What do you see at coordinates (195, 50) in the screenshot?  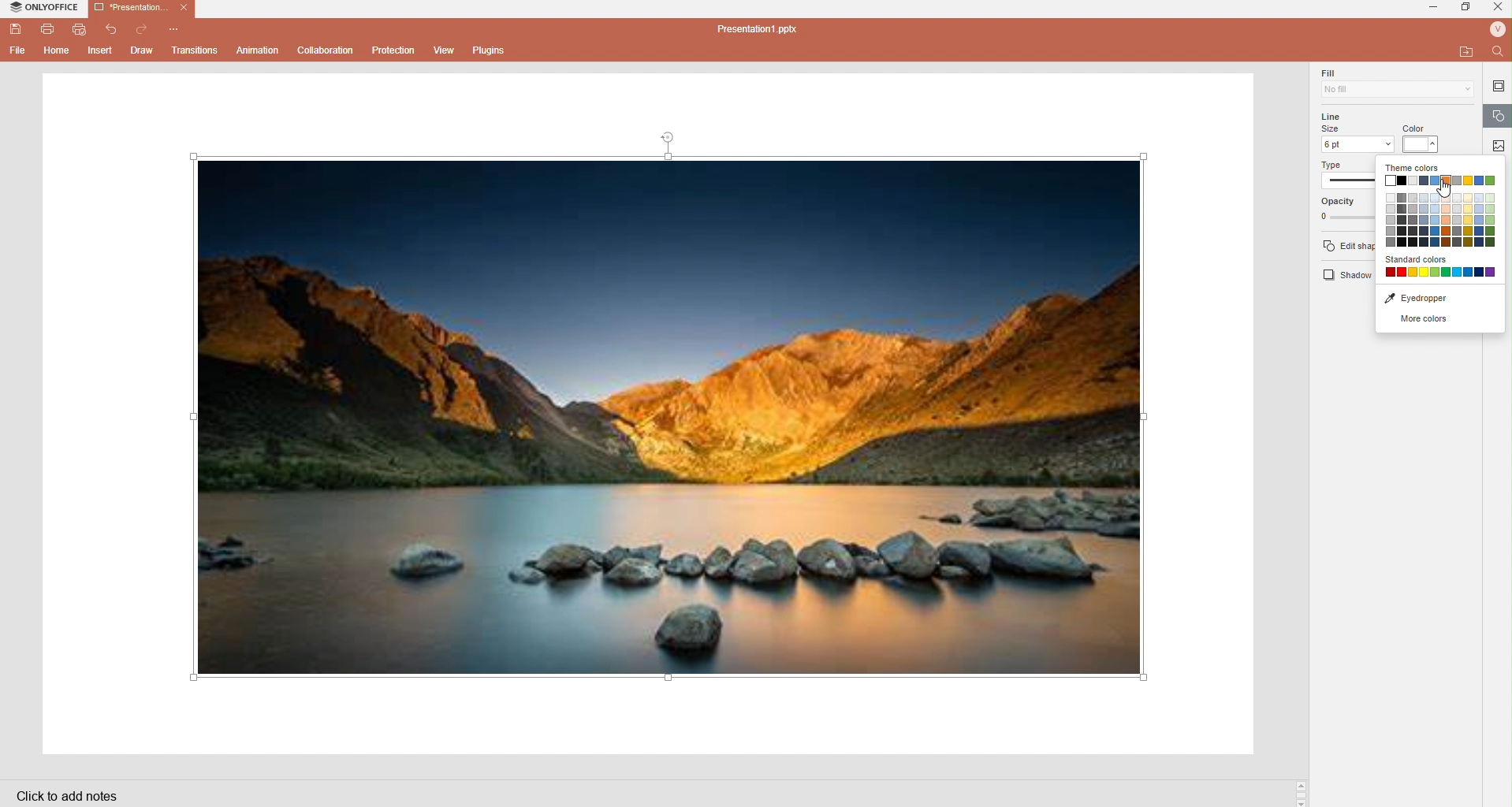 I see `Transitions` at bounding box center [195, 50].